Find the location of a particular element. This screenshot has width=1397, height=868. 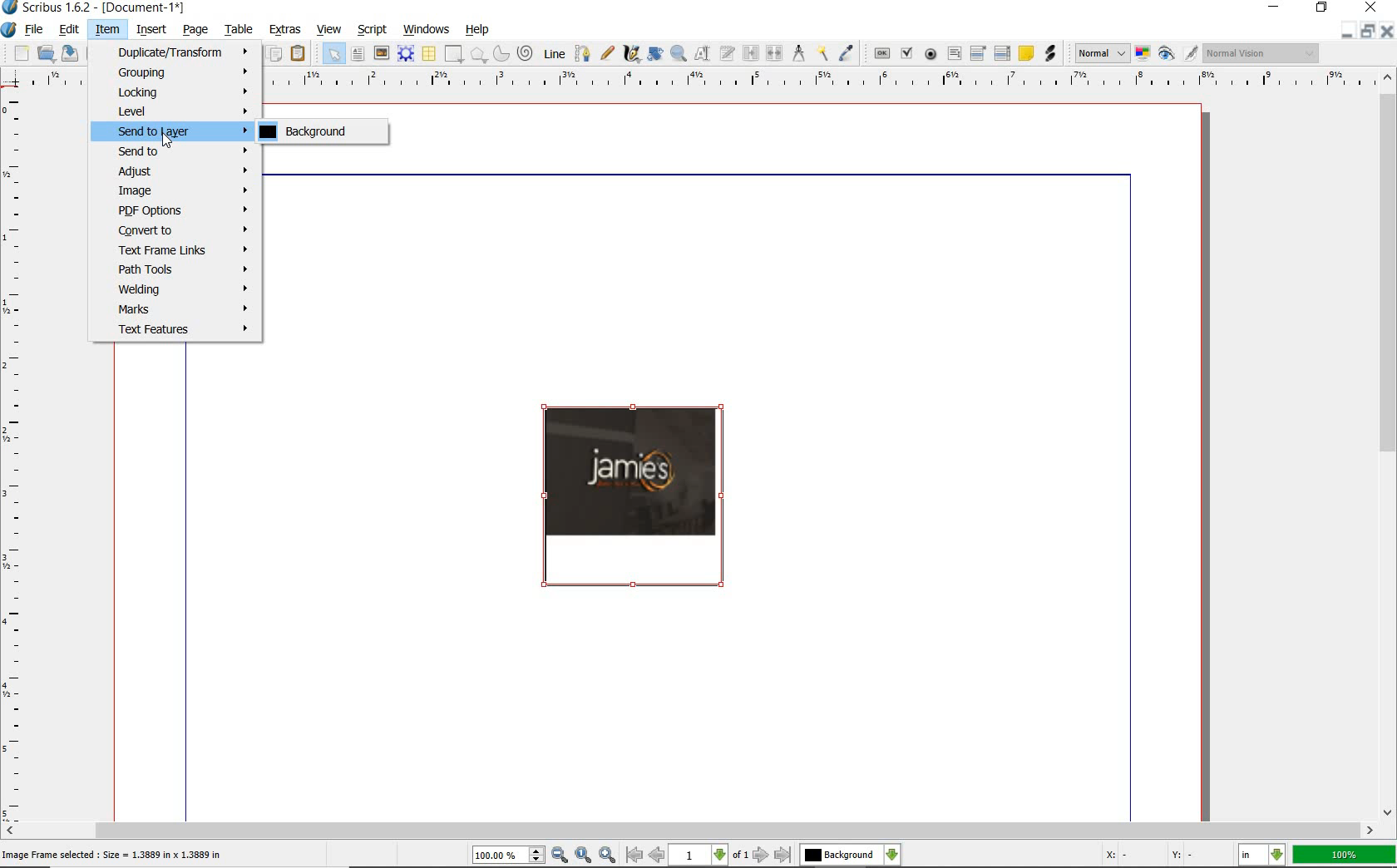

Zoom to 100% is located at coordinates (584, 855).